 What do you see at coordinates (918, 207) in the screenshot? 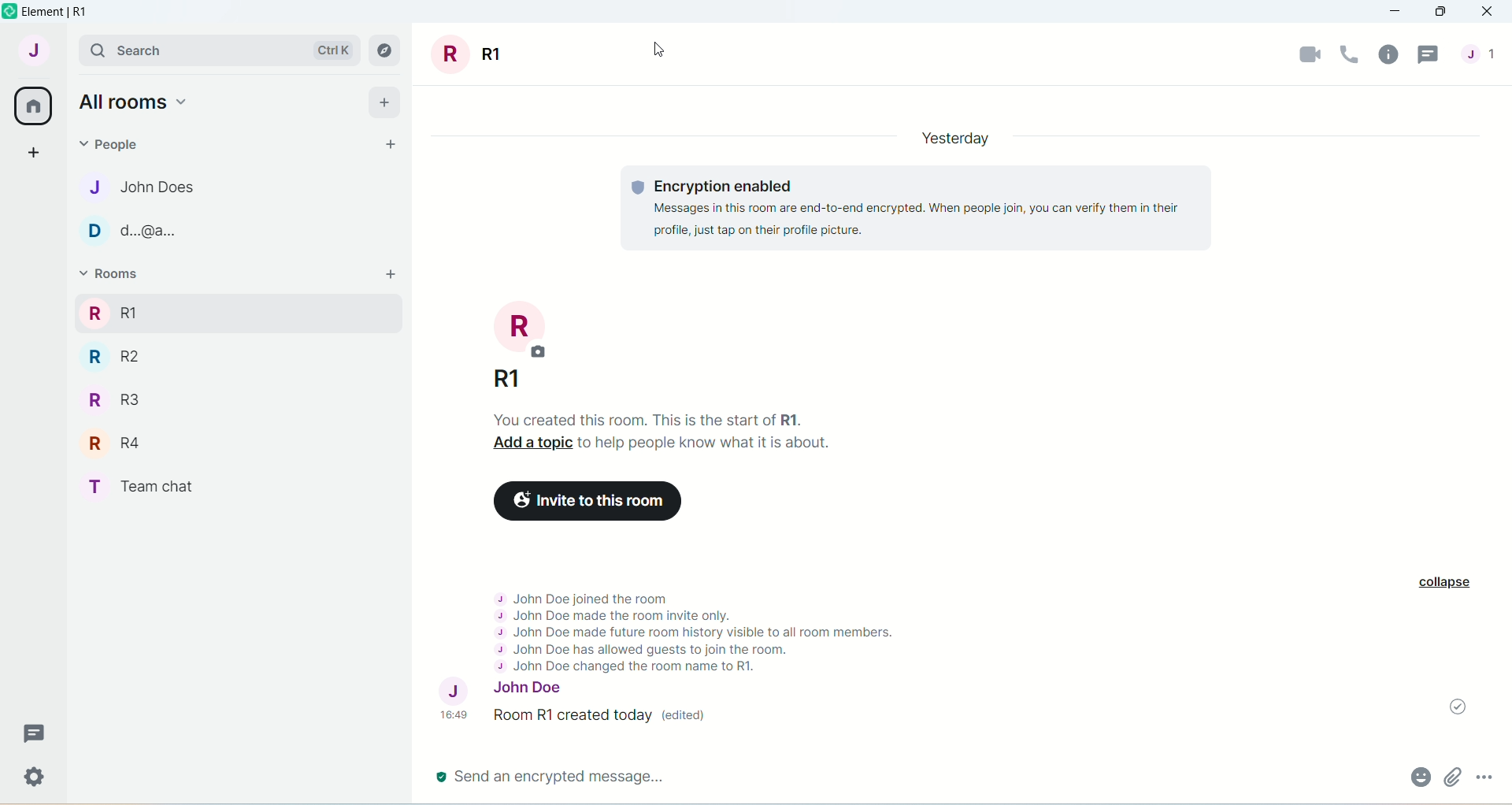
I see `© Encryption enabled
Messages in this room are end-to-end encrypted. When people join, you can verify them in their
profile, just tap on their profile picture.` at bounding box center [918, 207].